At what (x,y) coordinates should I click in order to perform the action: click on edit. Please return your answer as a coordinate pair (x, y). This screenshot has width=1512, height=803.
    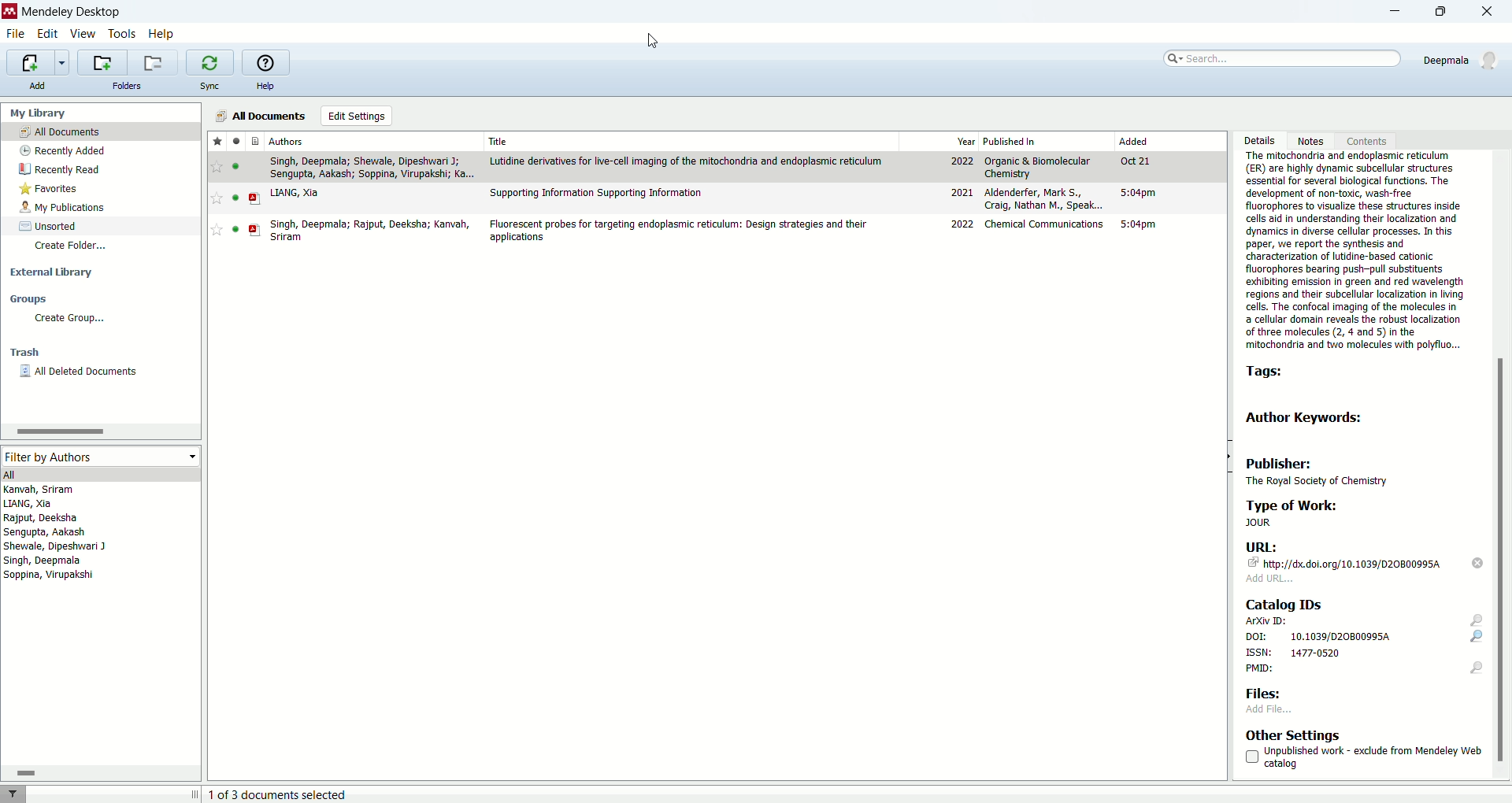
    Looking at the image, I should click on (46, 35).